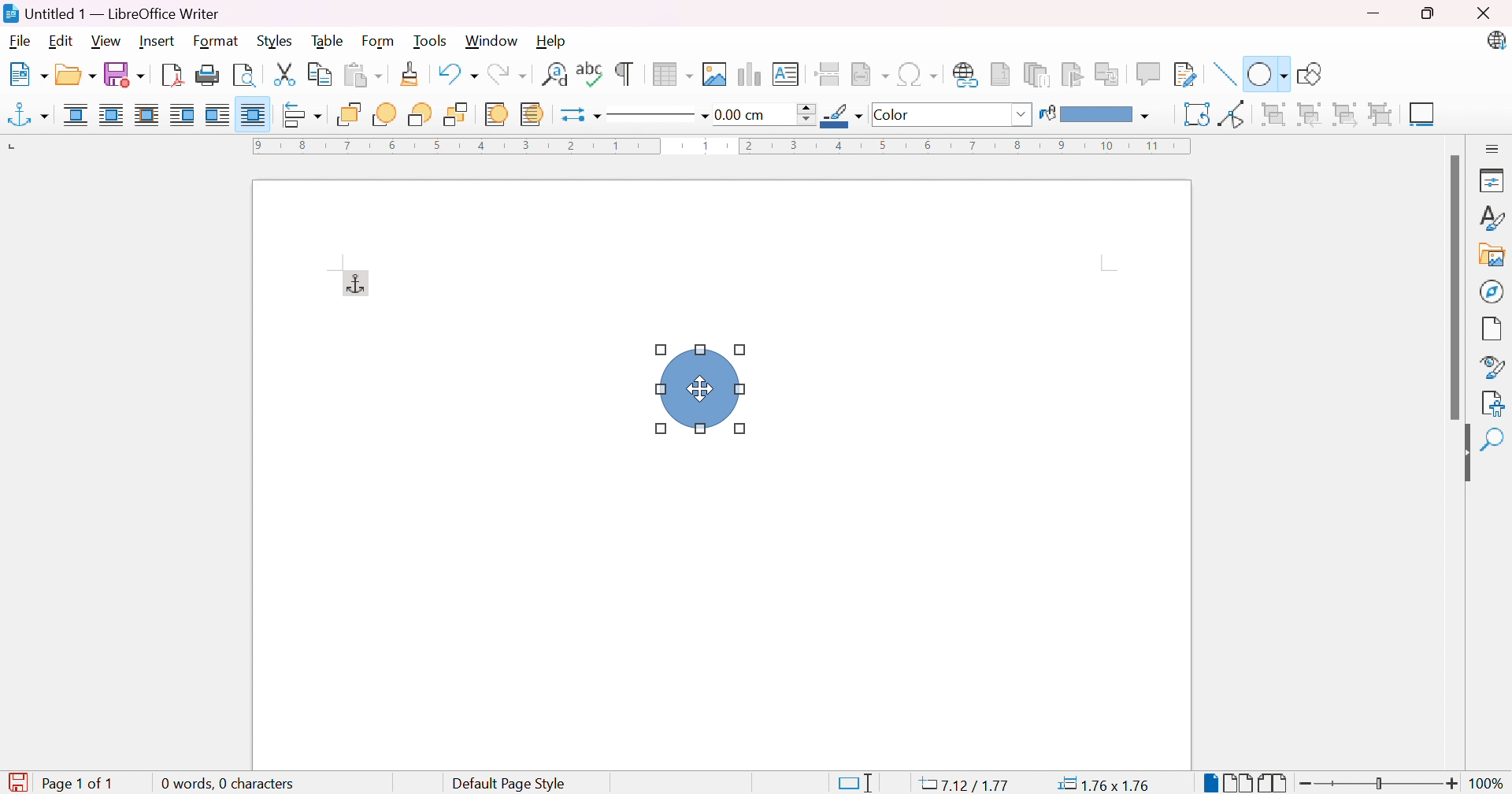 This screenshot has height=794, width=1512. What do you see at coordinates (273, 42) in the screenshot?
I see `Styles` at bounding box center [273, 42].